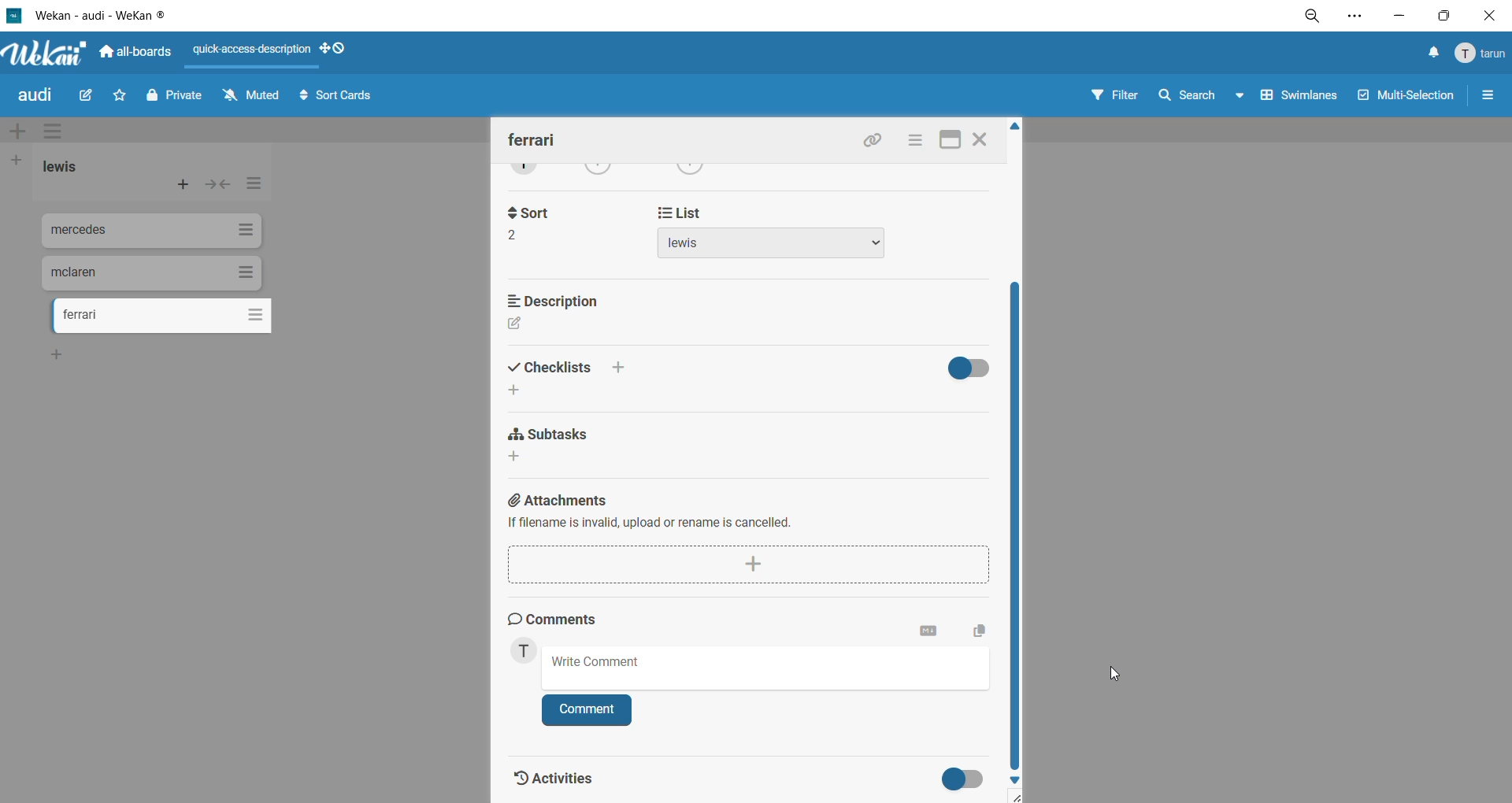 The image size is (1512, 803). Describe the element at coordinates (251, 187) in the screenshot. I see `list actions` at that location.